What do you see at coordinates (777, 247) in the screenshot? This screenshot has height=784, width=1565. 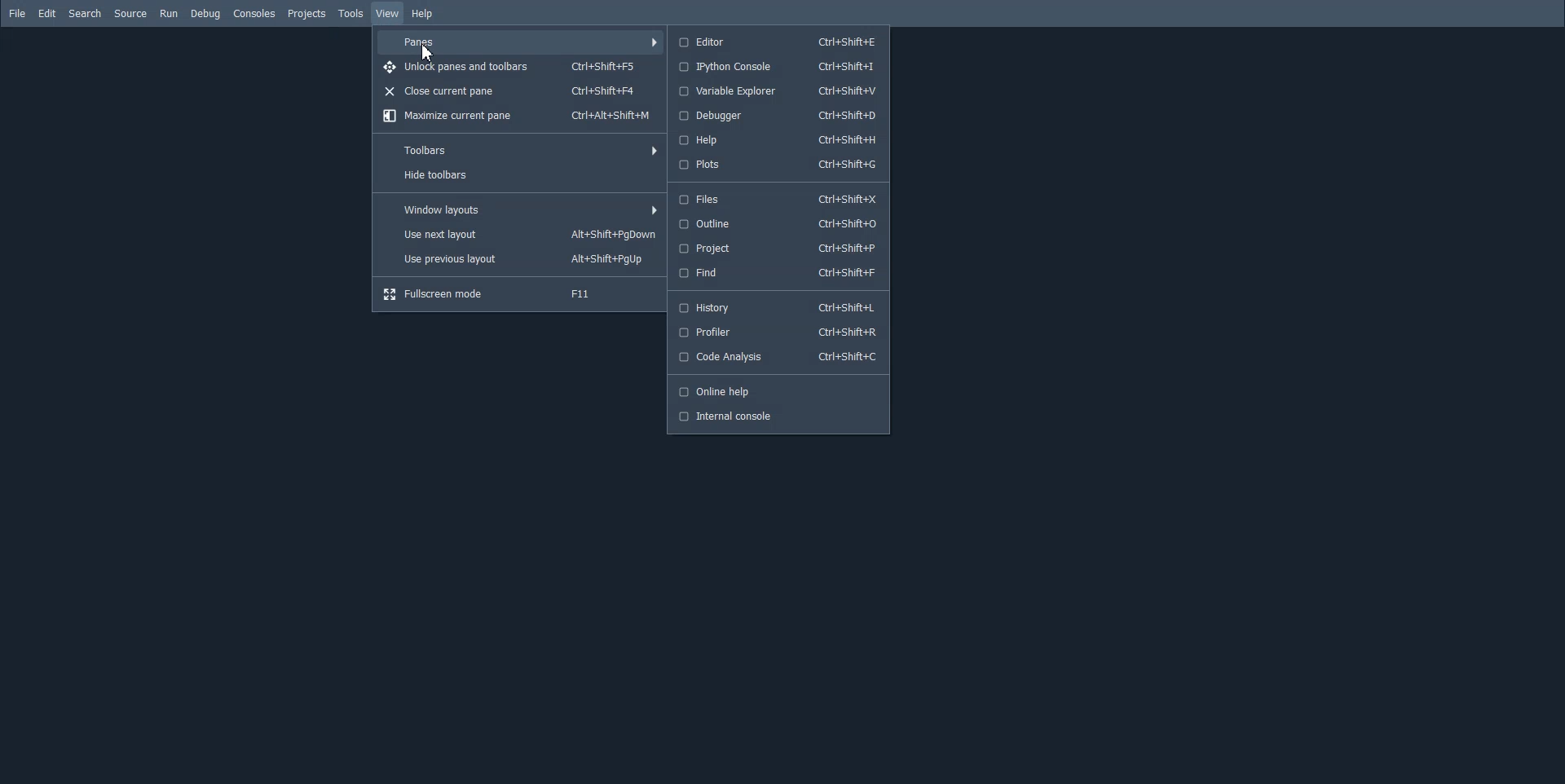 I see `Project` at bounding box center [777, 247].